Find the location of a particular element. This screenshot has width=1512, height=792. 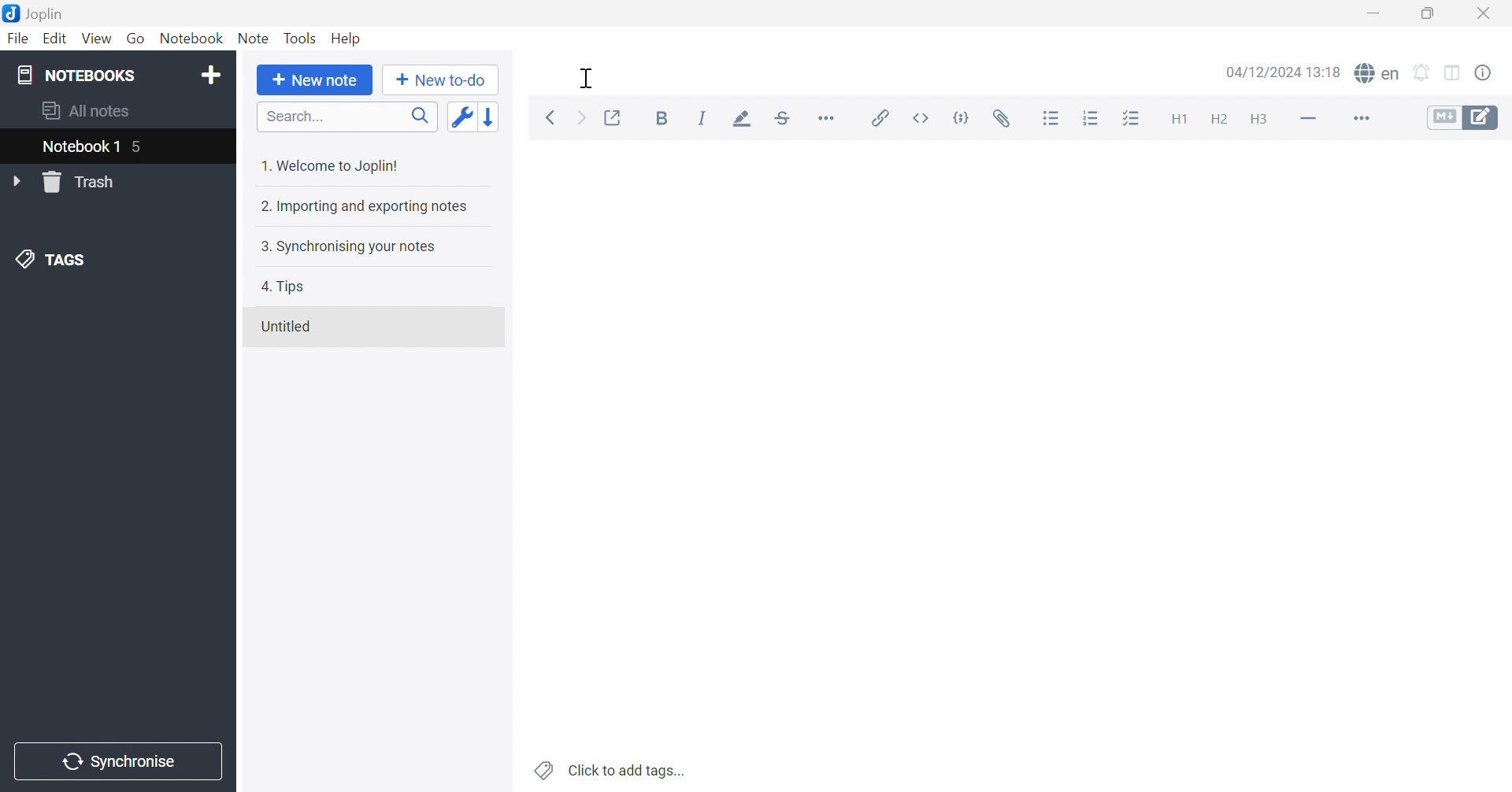

Horizontal is located at coordinates (828, 117).